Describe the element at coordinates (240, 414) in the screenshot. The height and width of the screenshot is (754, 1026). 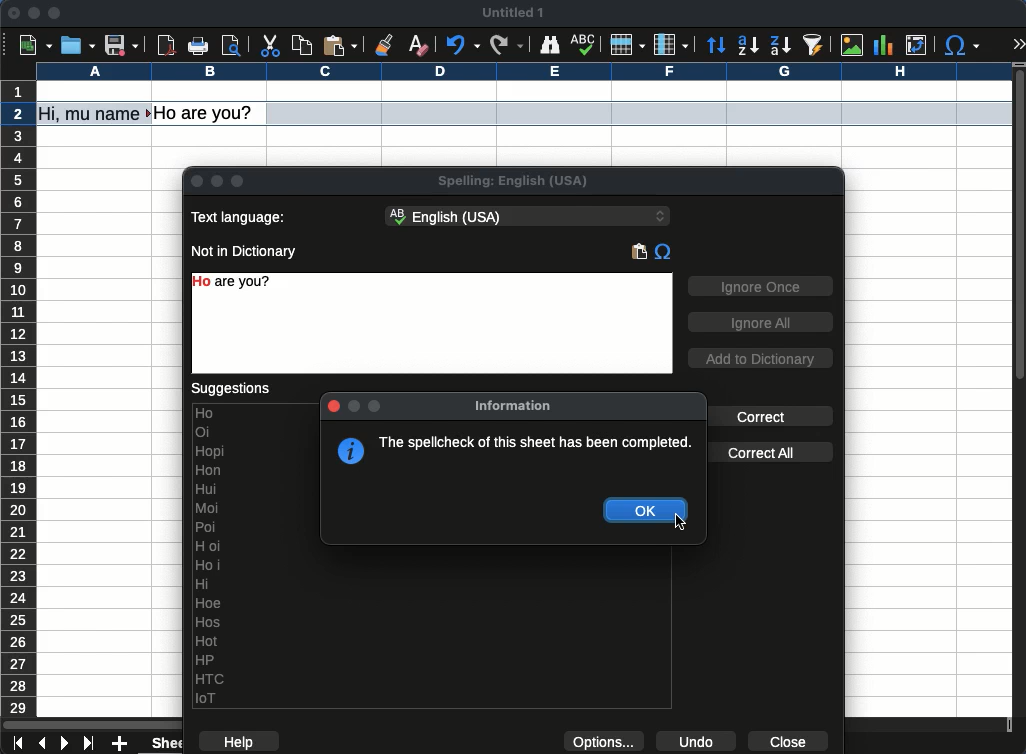
I see `Ho` at that location.